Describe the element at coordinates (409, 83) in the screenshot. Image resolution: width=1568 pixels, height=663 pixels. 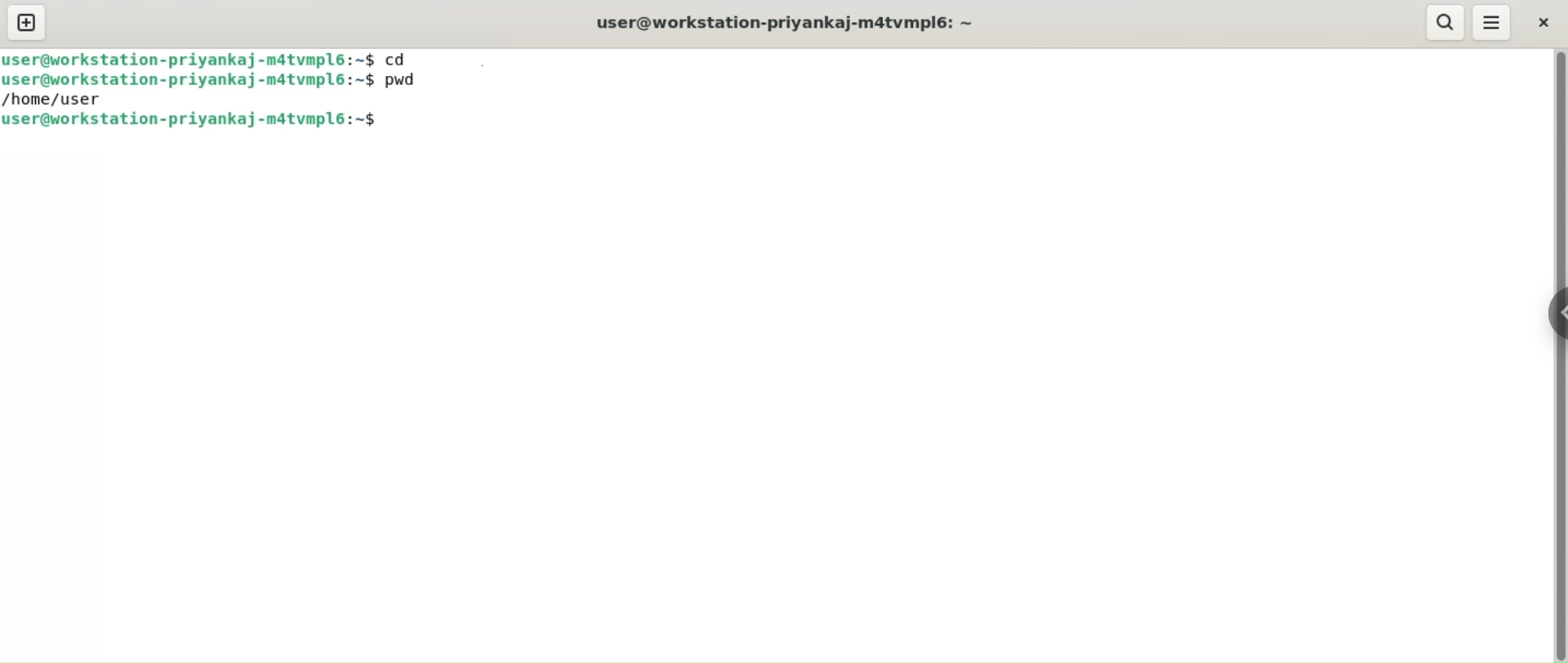
I see `pwd` at that location.